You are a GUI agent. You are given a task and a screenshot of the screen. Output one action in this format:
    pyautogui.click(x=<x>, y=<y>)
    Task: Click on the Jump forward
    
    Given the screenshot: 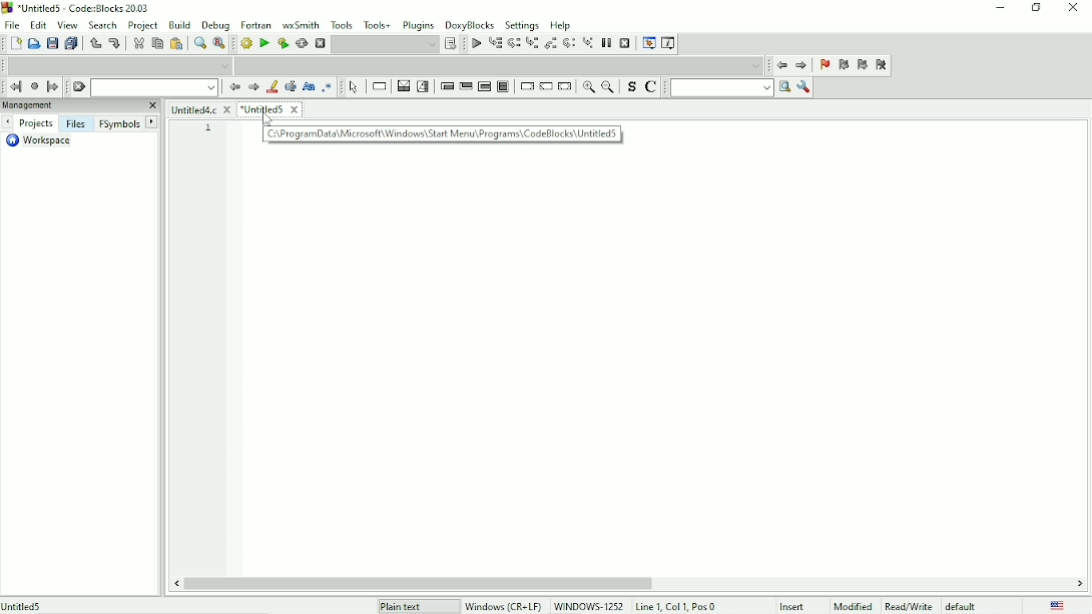 What is the action you would take?
    pyautogui.click(x=802, y=67)
    